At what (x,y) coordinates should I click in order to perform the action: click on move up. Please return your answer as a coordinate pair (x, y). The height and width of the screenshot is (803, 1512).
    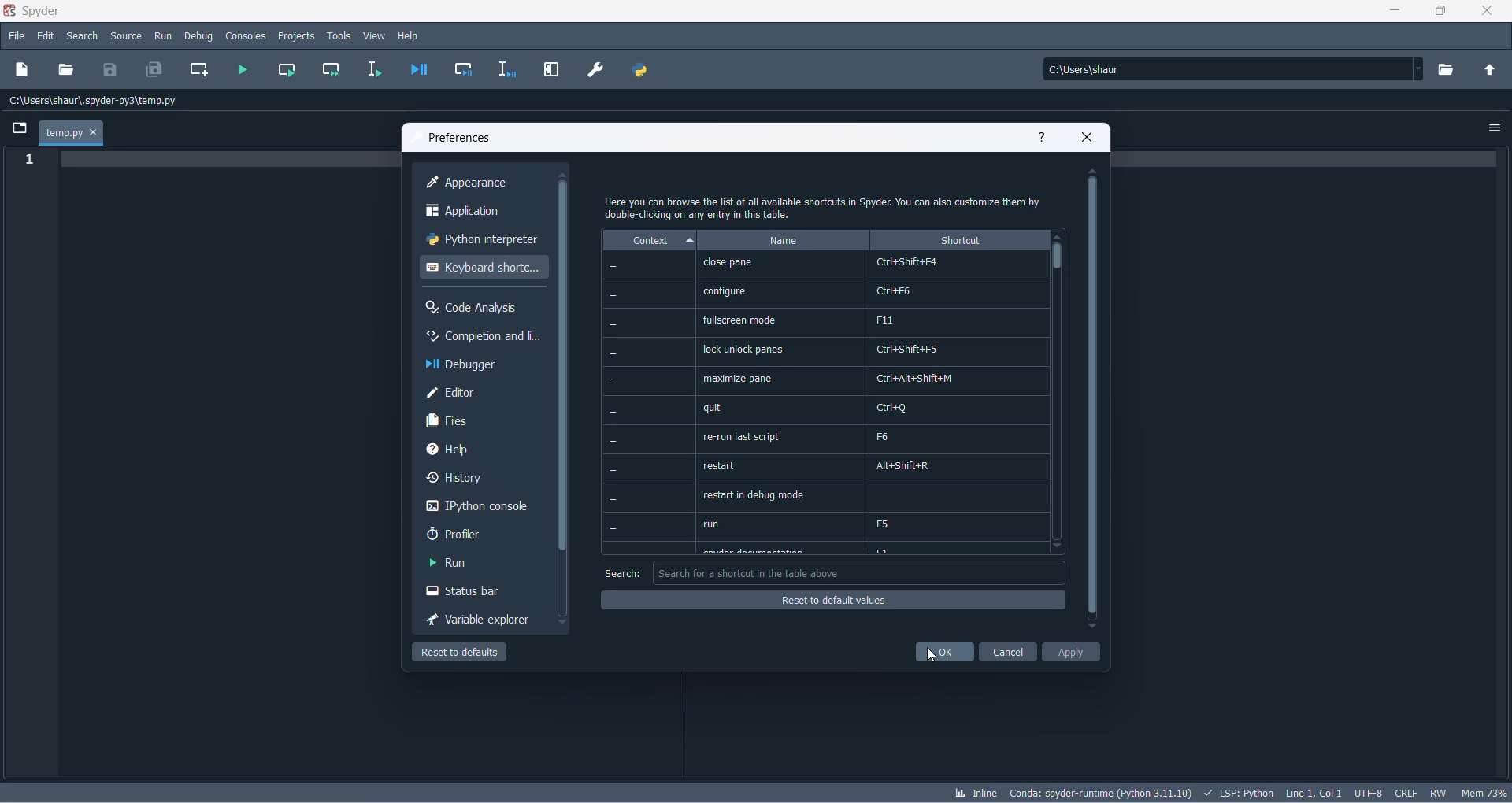
    Looking at the image, I should click on (1093, 171).